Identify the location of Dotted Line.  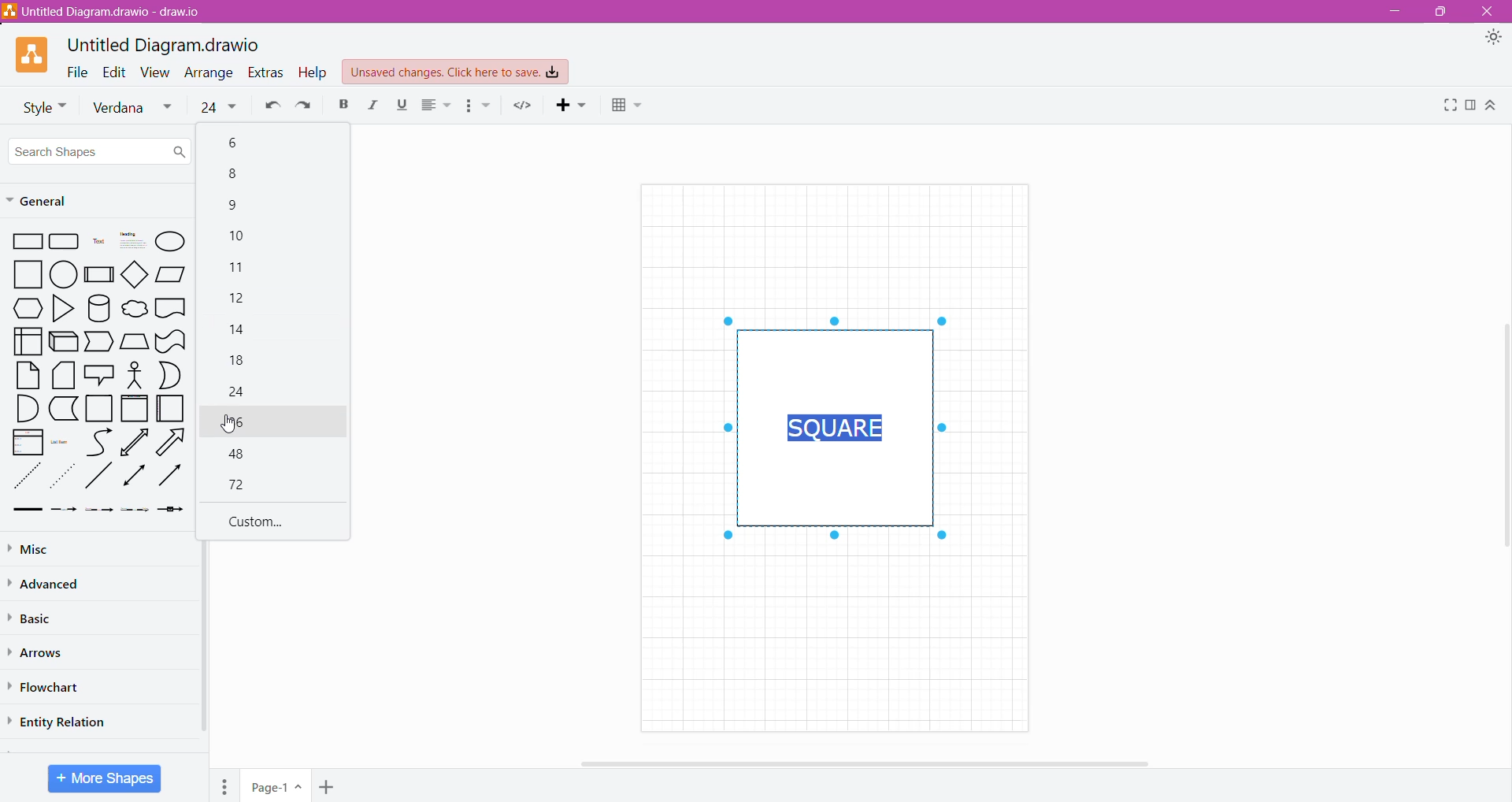
(25, 477).